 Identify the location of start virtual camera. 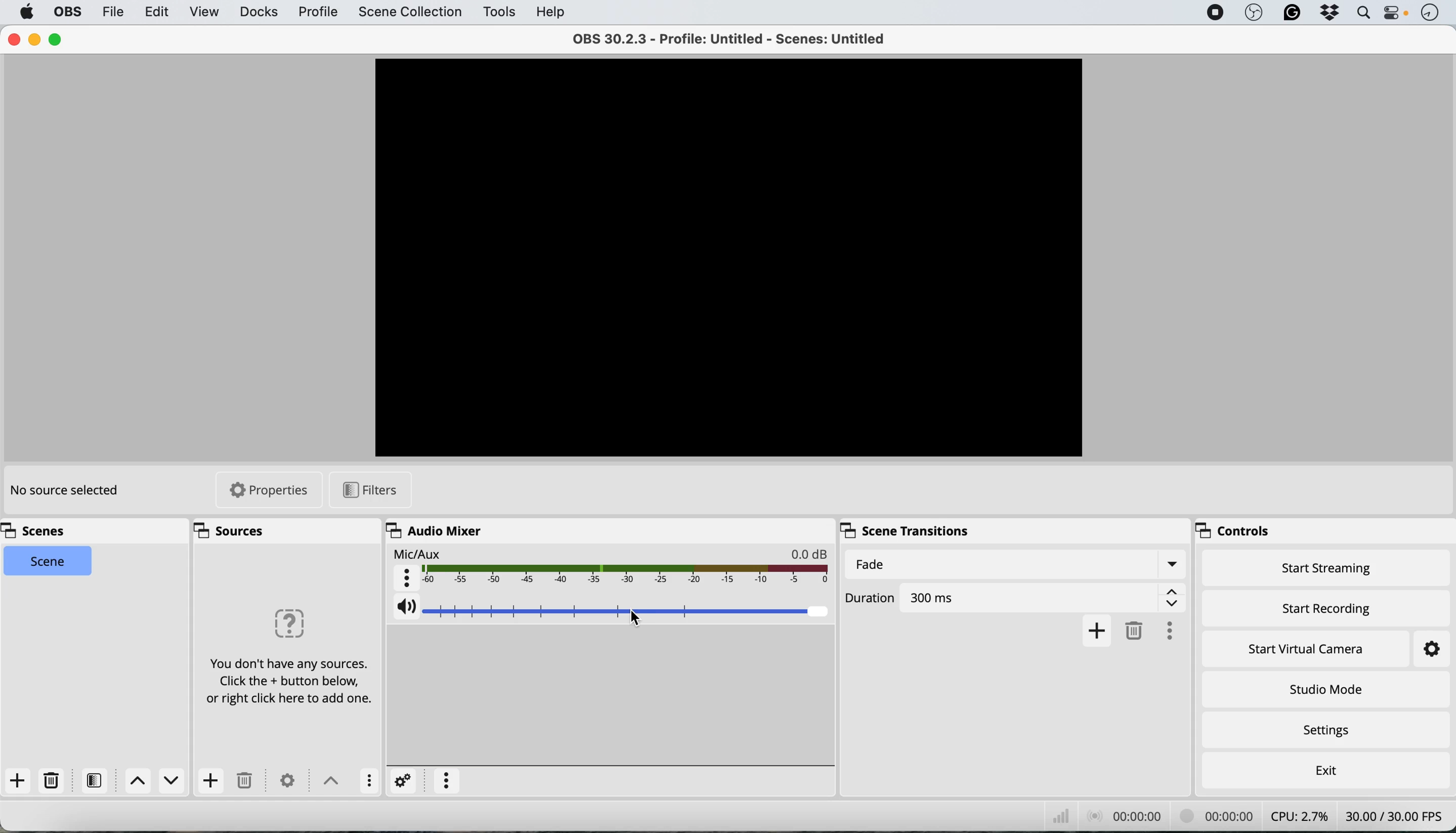
(1302, 648).